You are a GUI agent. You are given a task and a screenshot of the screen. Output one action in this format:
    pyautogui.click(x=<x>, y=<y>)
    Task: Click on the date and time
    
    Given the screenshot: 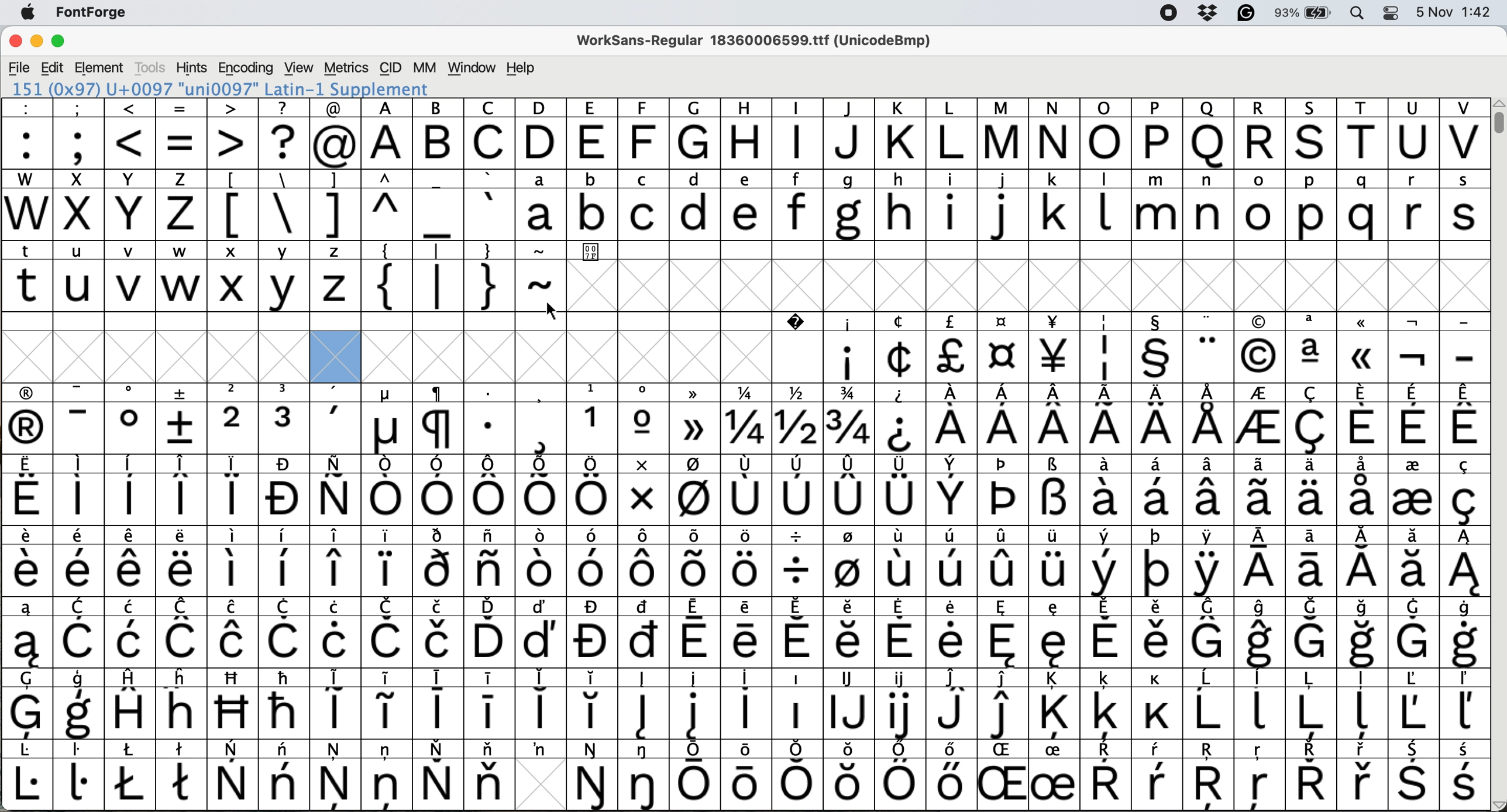 What is the action you would take?
    pyautogui.click(x=1454, y=11)
    